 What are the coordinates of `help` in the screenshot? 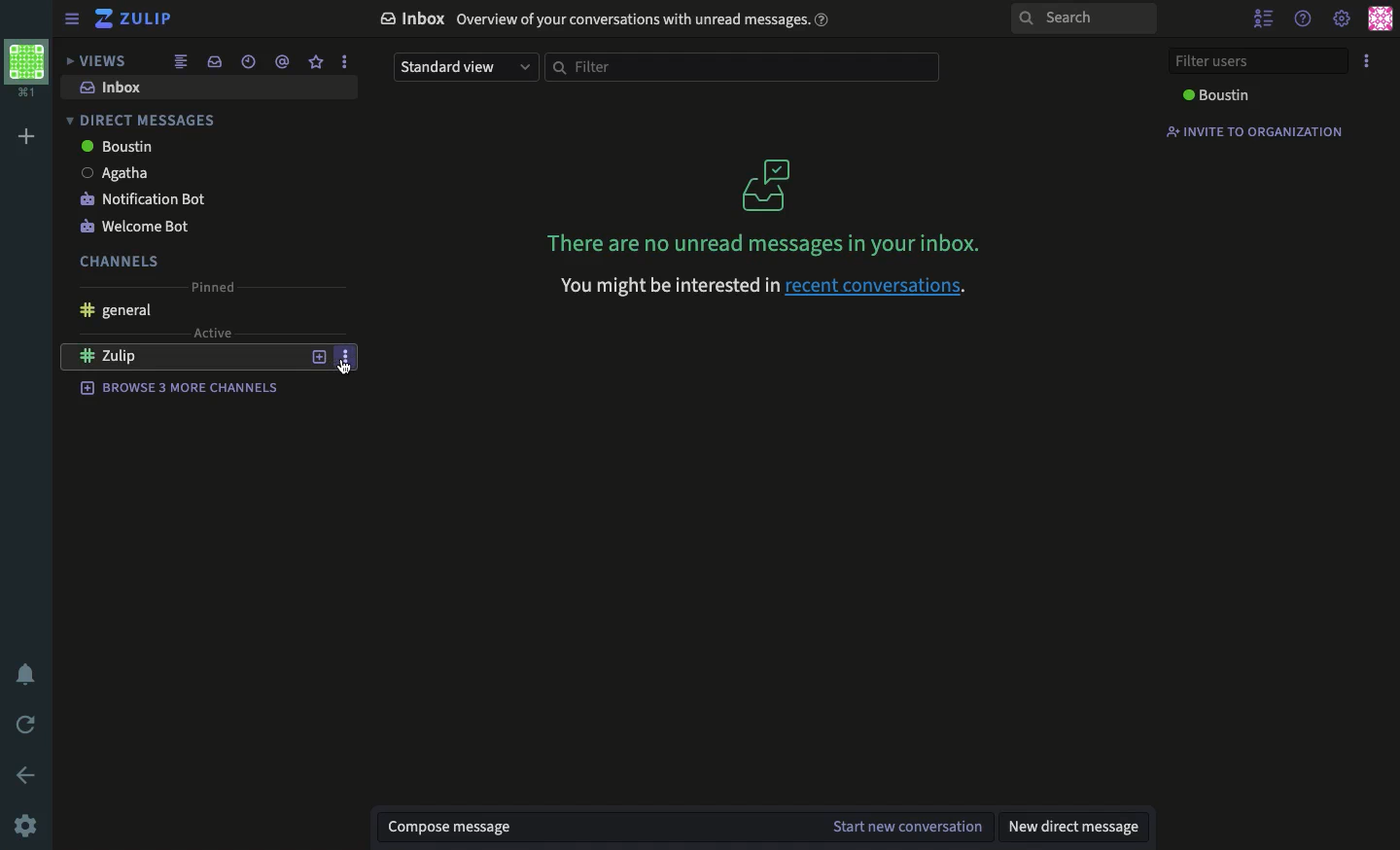 It's located at (1303, 19).